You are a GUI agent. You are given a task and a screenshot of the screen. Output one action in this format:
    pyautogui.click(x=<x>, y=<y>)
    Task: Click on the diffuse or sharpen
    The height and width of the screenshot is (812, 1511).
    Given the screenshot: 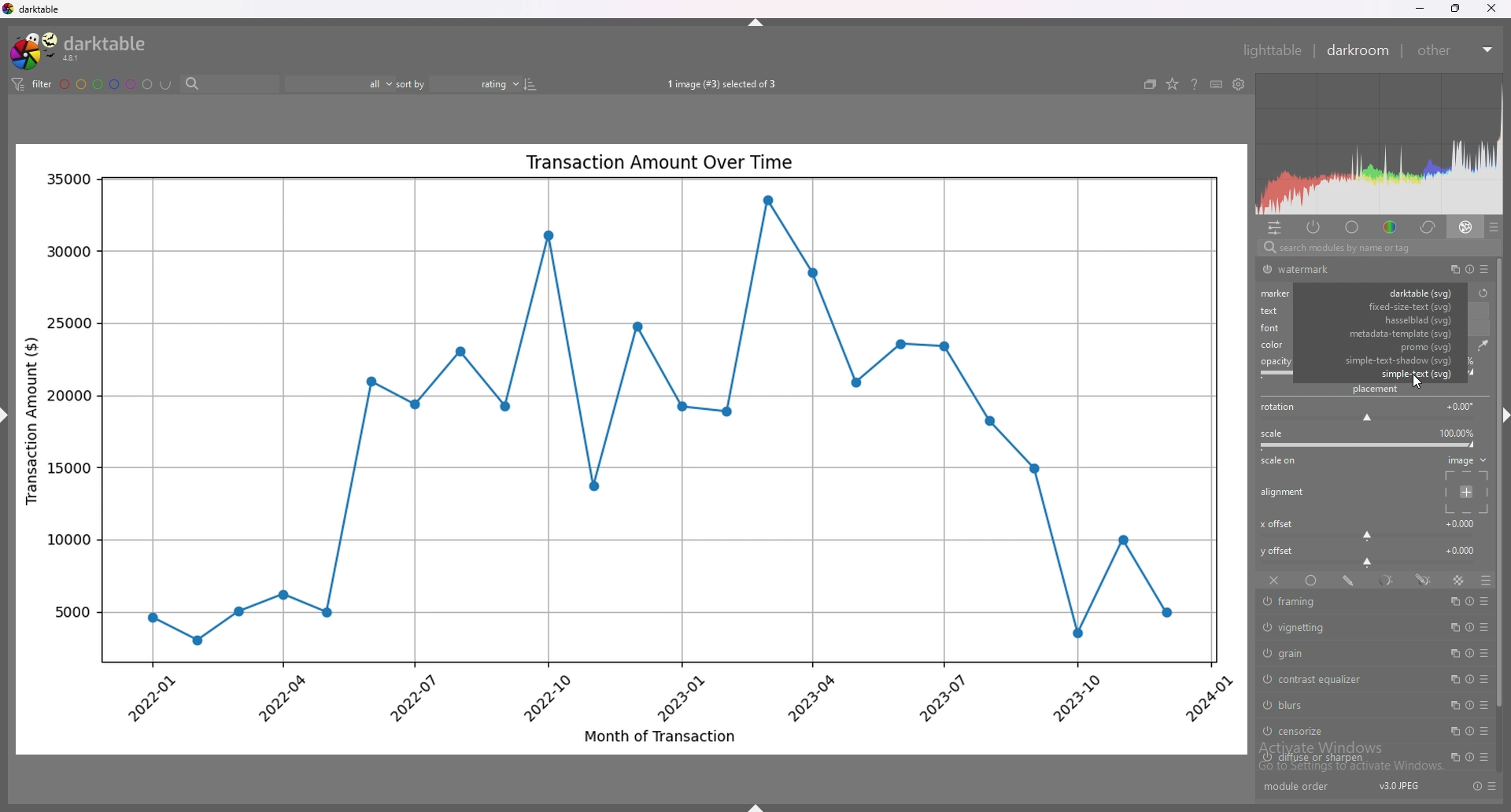 What is the action you would take?
    pyautogui.click(x=1345, y=758)
    